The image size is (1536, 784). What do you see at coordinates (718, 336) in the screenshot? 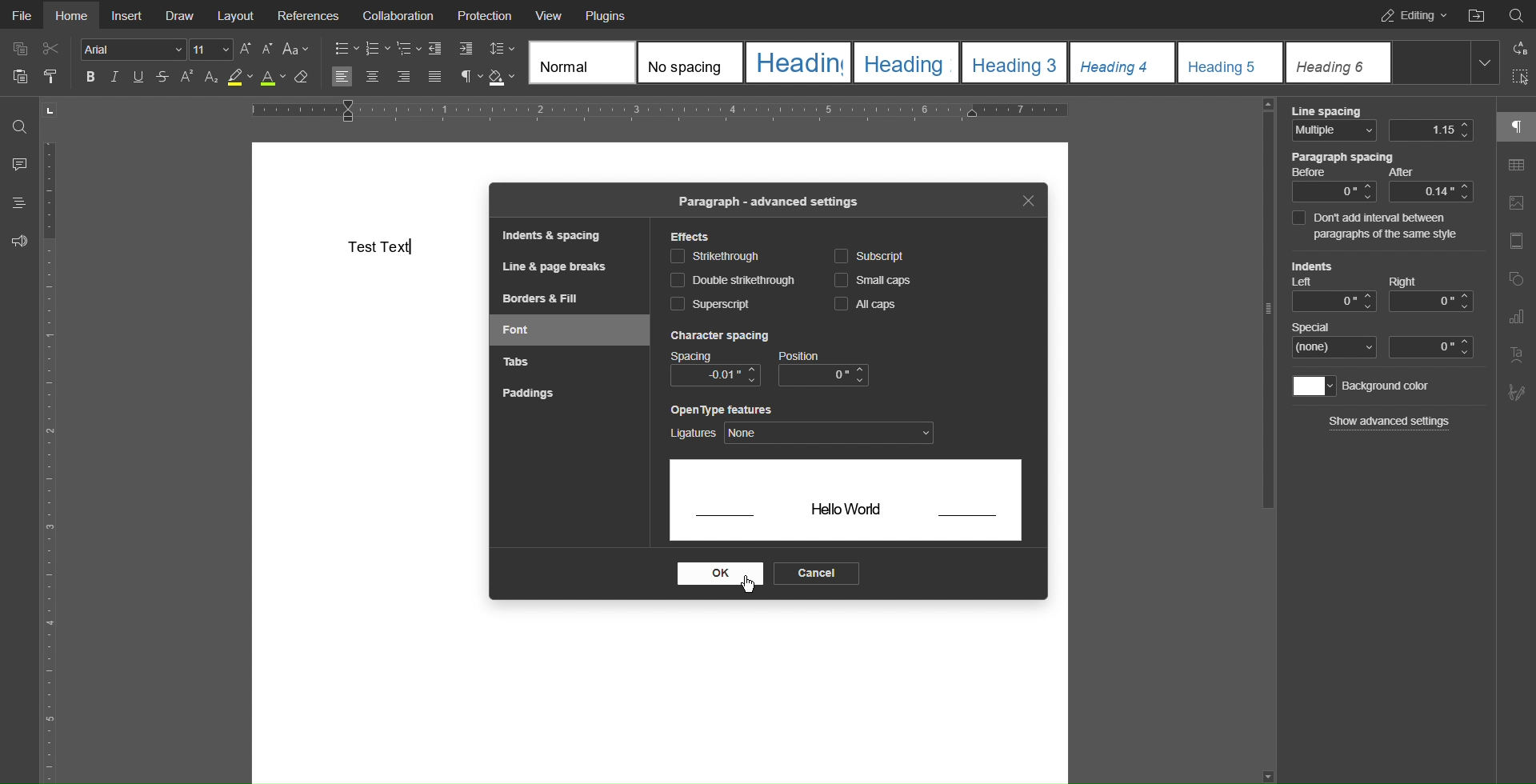
I see `Character spacing` at bounding box center [718, 336].